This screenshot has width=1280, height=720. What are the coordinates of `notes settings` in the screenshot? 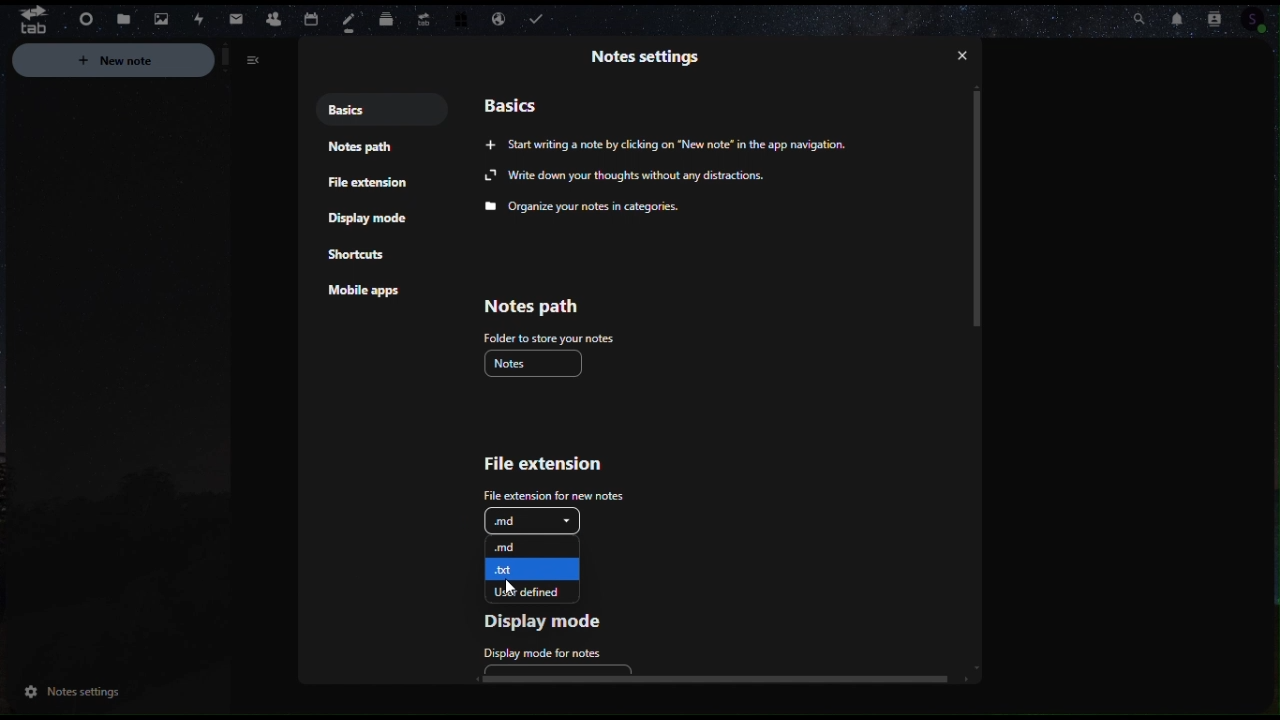 It's located at (69, 694).